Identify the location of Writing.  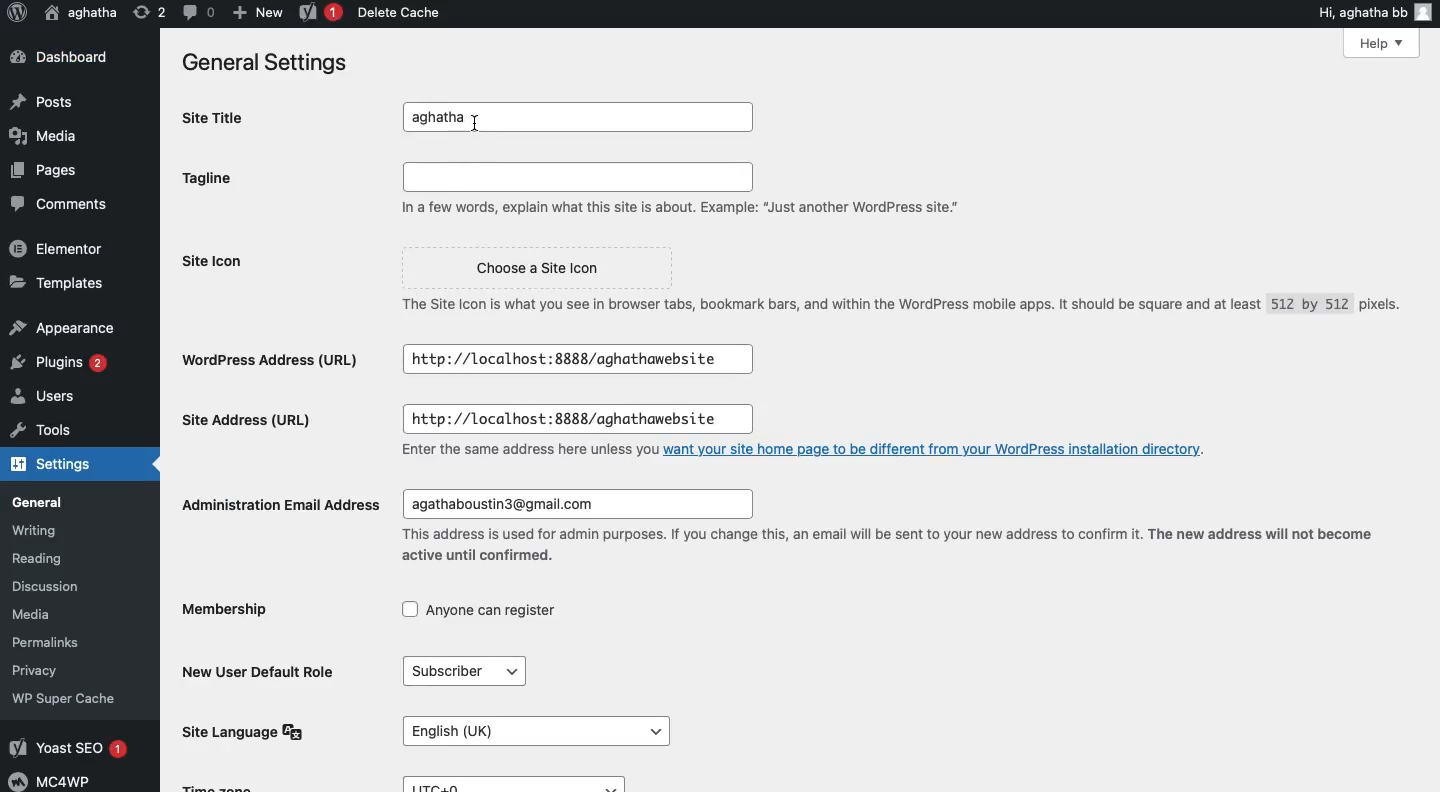
(33, 532).